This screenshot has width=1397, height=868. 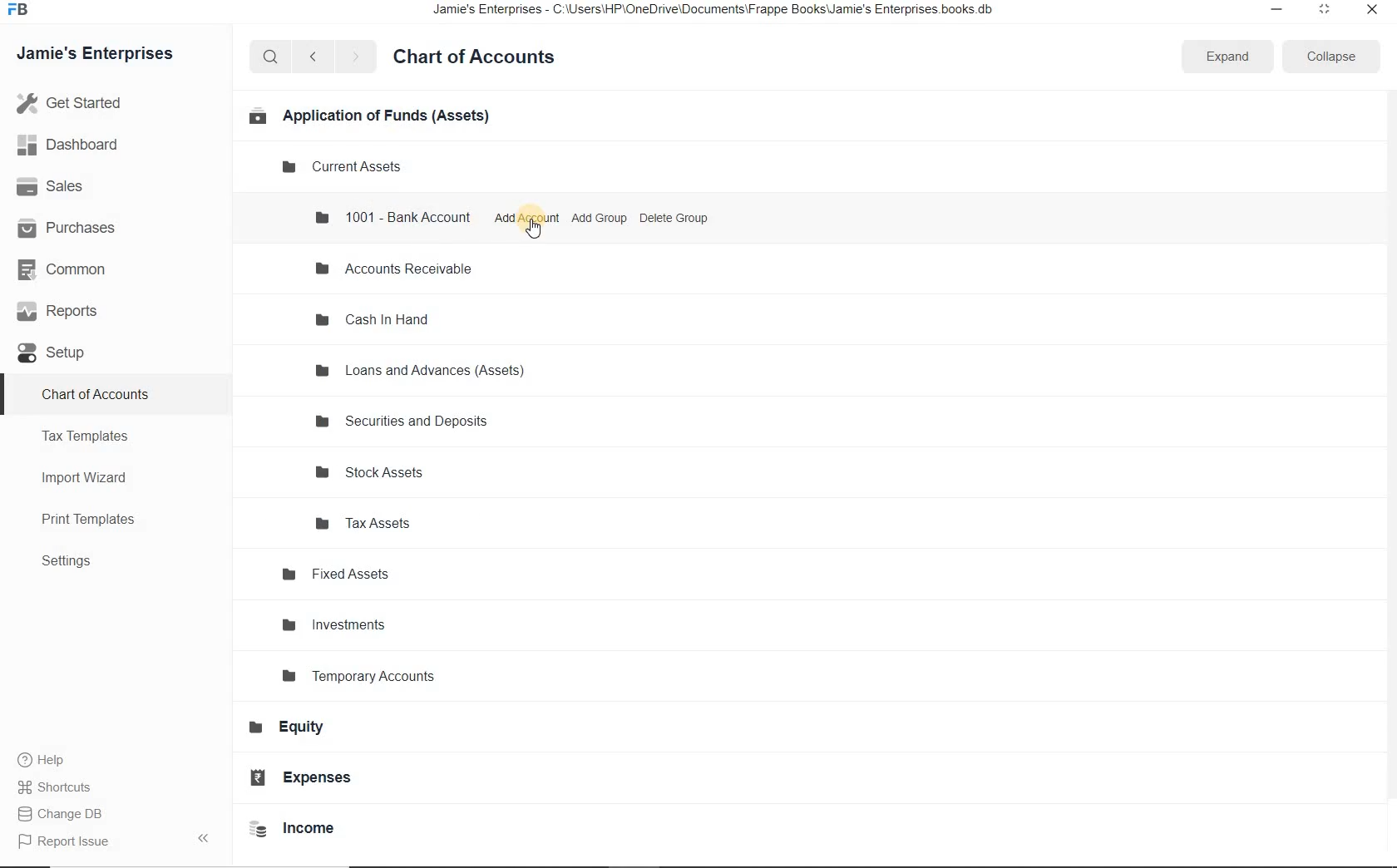 What do you see at coordinates (368, 115) in the screenshot?
I see `Application of Funds (Assets)` at bounding box center [368, 115].